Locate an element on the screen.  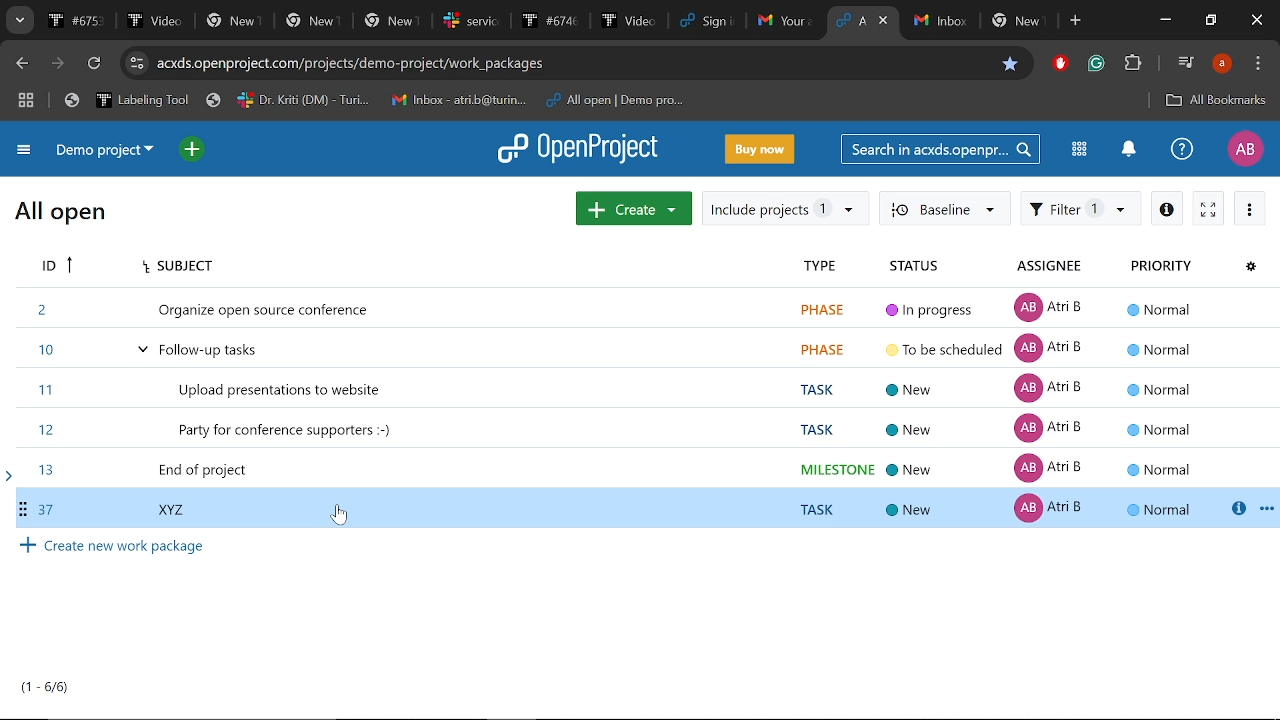
Search tabs is located at coordinates (18, 20).